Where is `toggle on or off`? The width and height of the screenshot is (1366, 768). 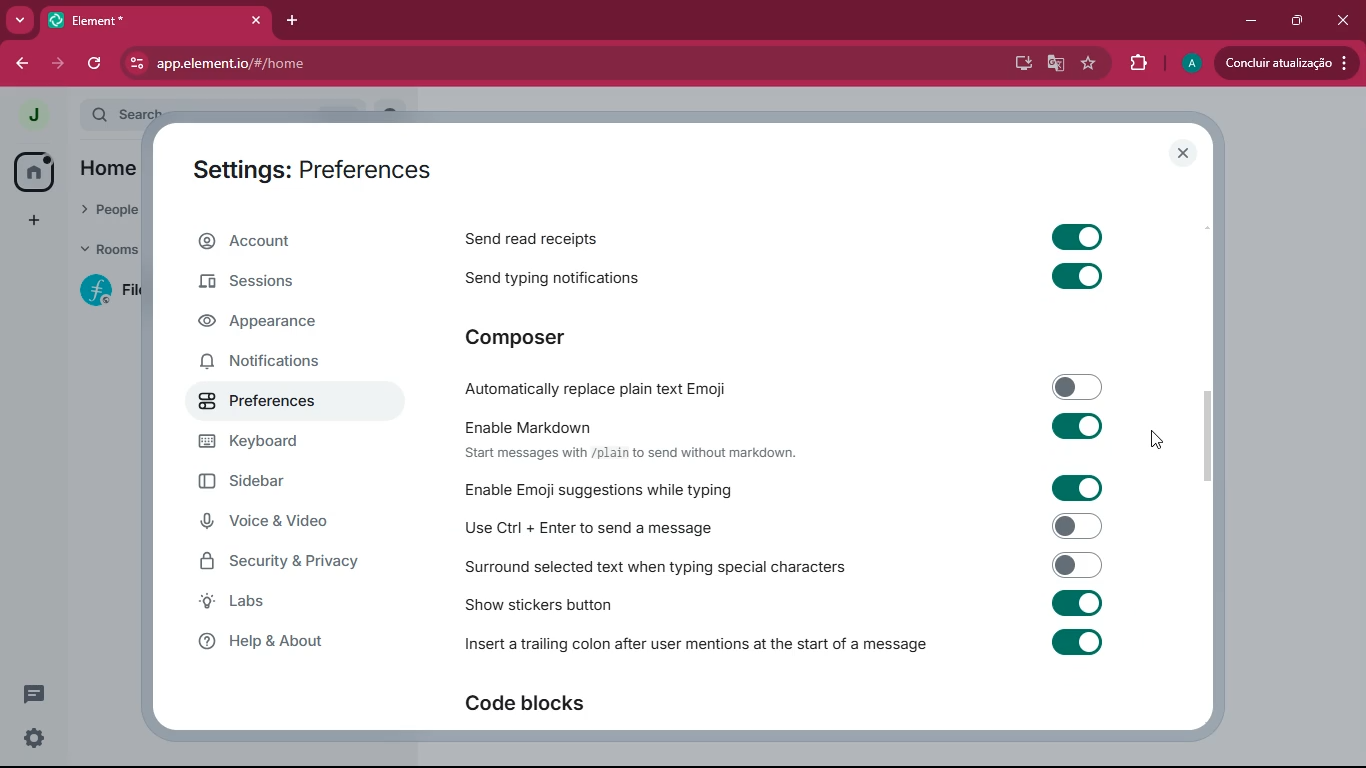 toggle on or off is located at coordinates (1076, 602).